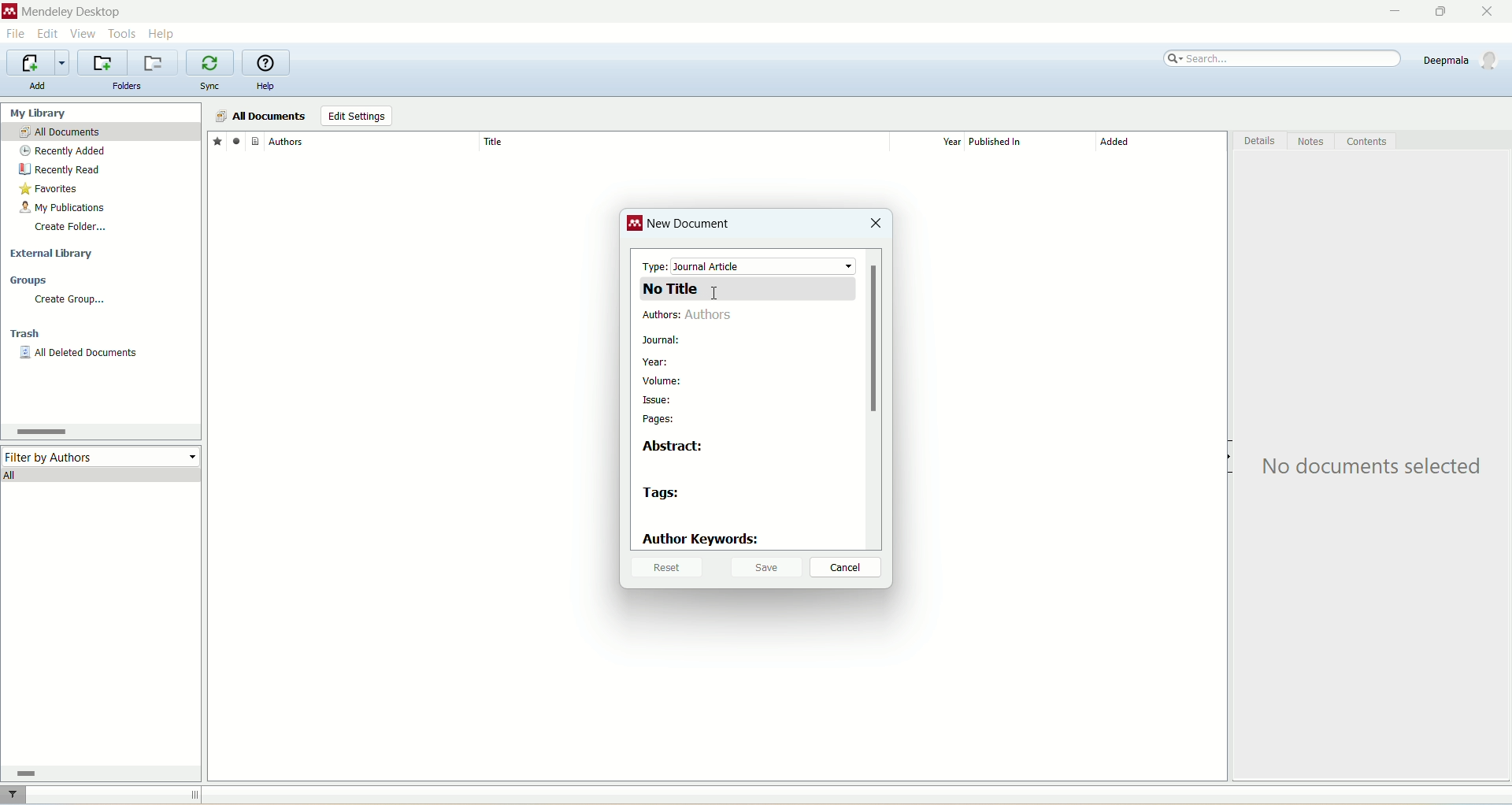 This screenshot has height=805, width=1512. Describe the element at coordinates (123, 32) in the screenshot. I see `tools` at that location.